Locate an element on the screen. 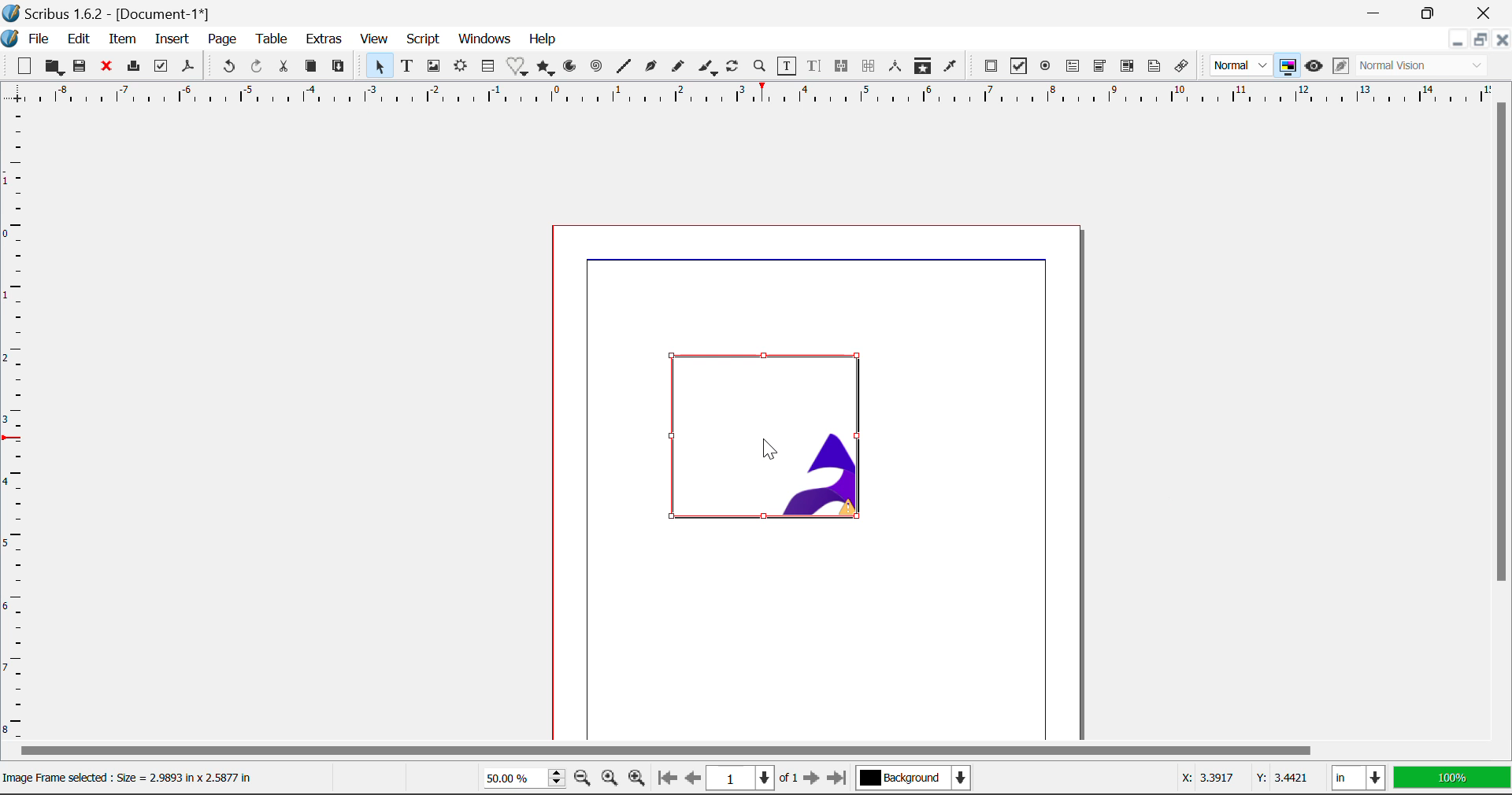  Cursor Position is located at coordinates (1240, 779).